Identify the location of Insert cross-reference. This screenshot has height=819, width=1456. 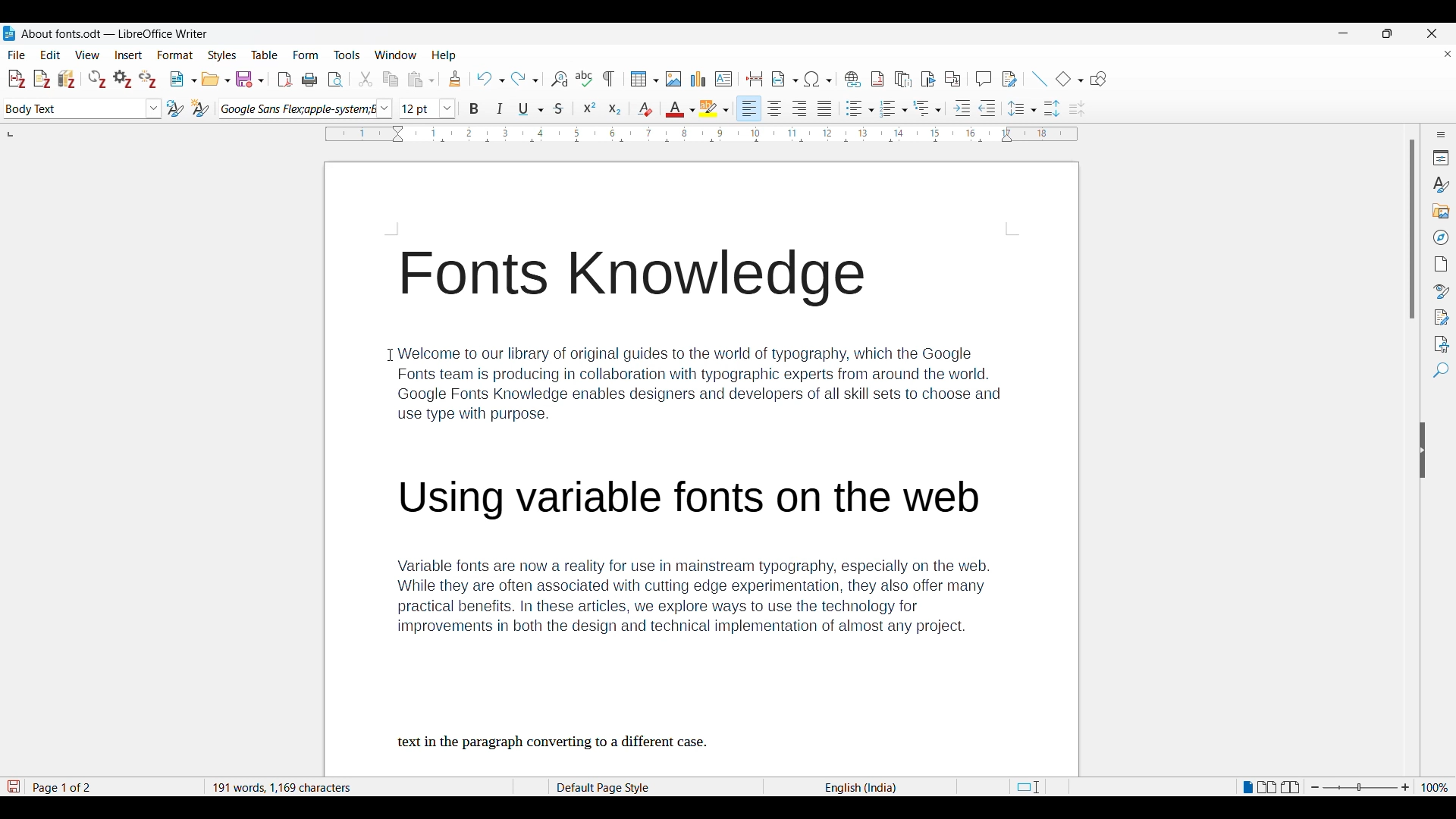
(952, 79).